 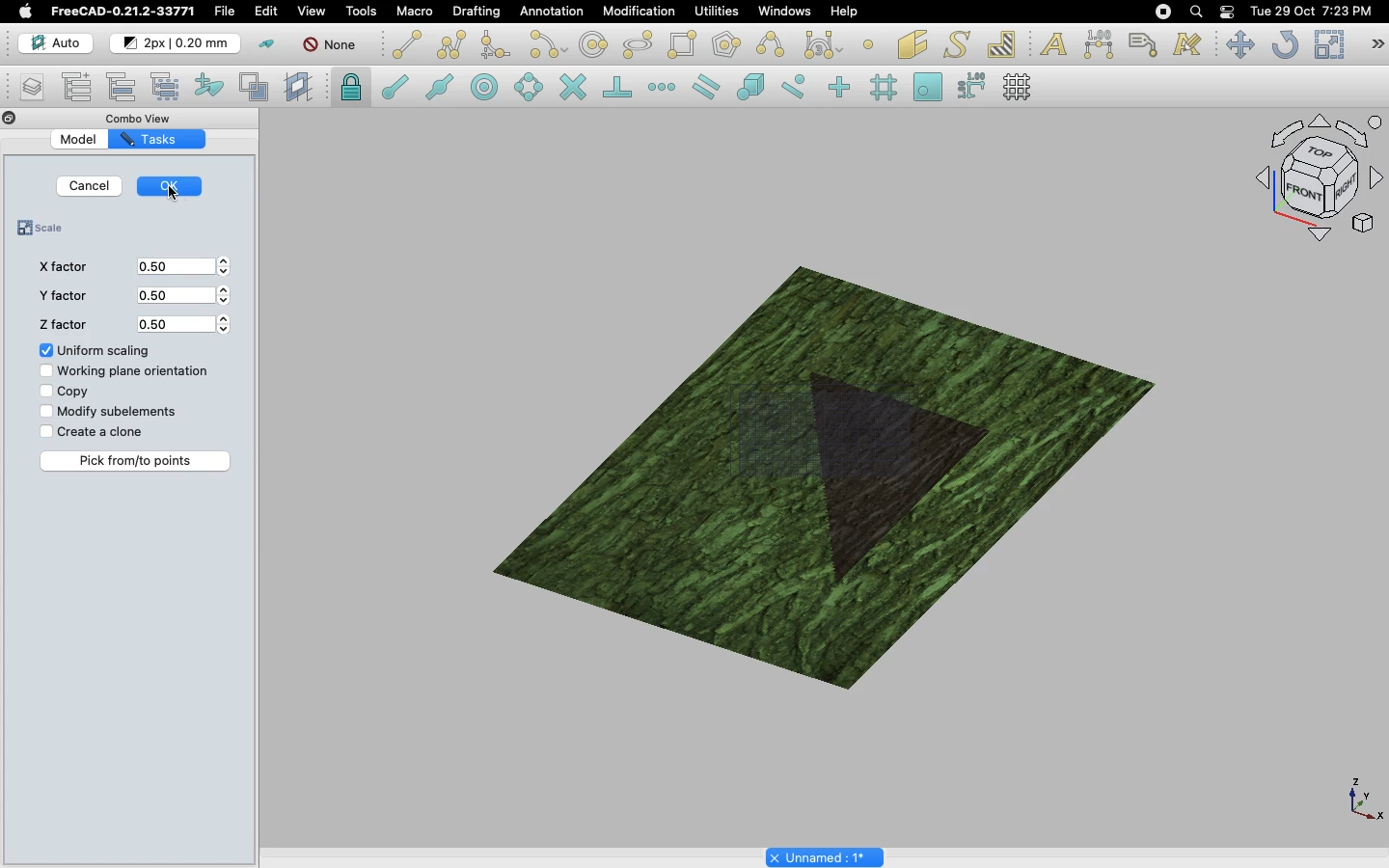 I want to click on Manage layers, so click(x=25, y=88).